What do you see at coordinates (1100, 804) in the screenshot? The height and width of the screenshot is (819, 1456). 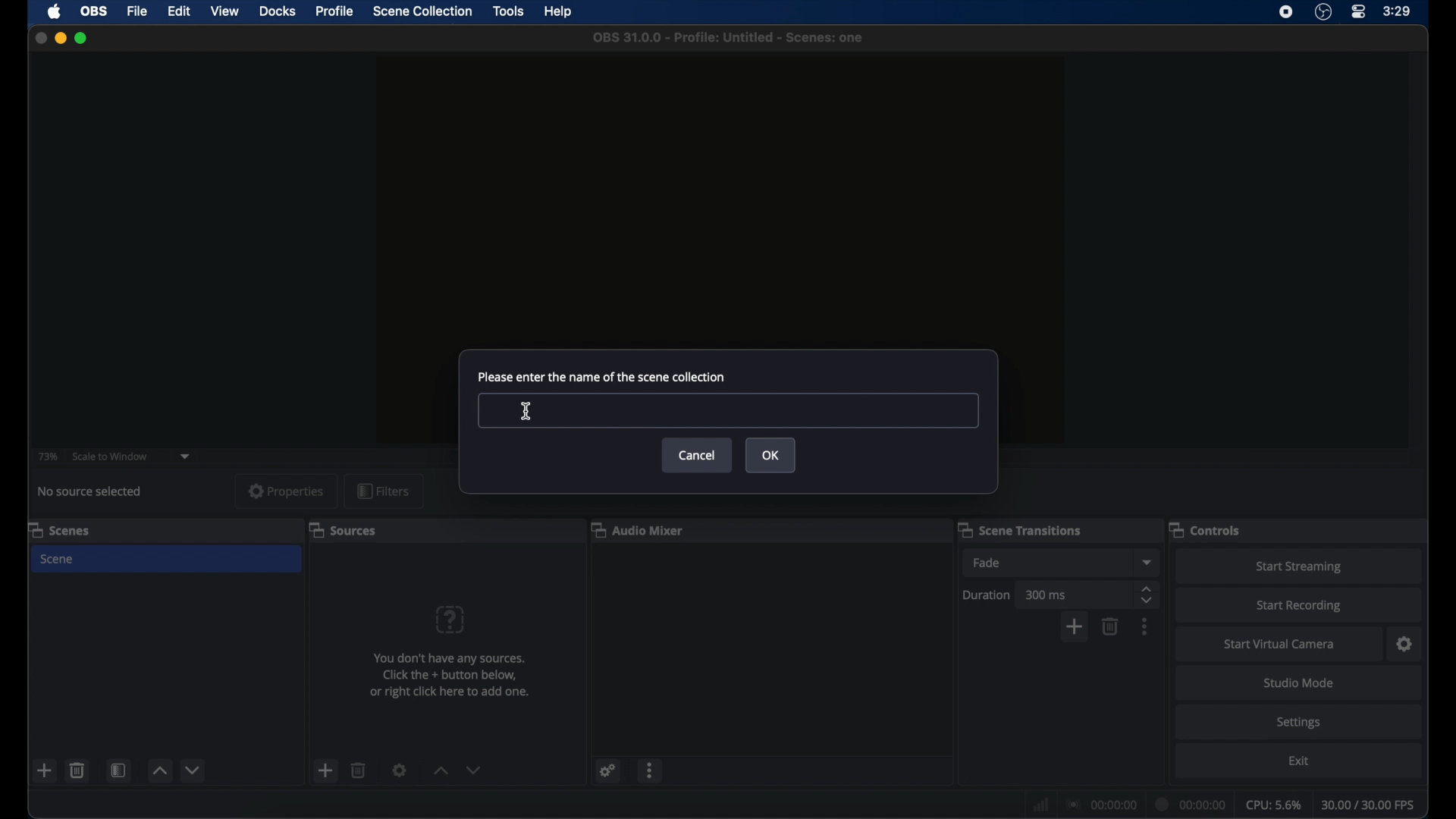 I see `connection` at bounding box center [1100, 804].